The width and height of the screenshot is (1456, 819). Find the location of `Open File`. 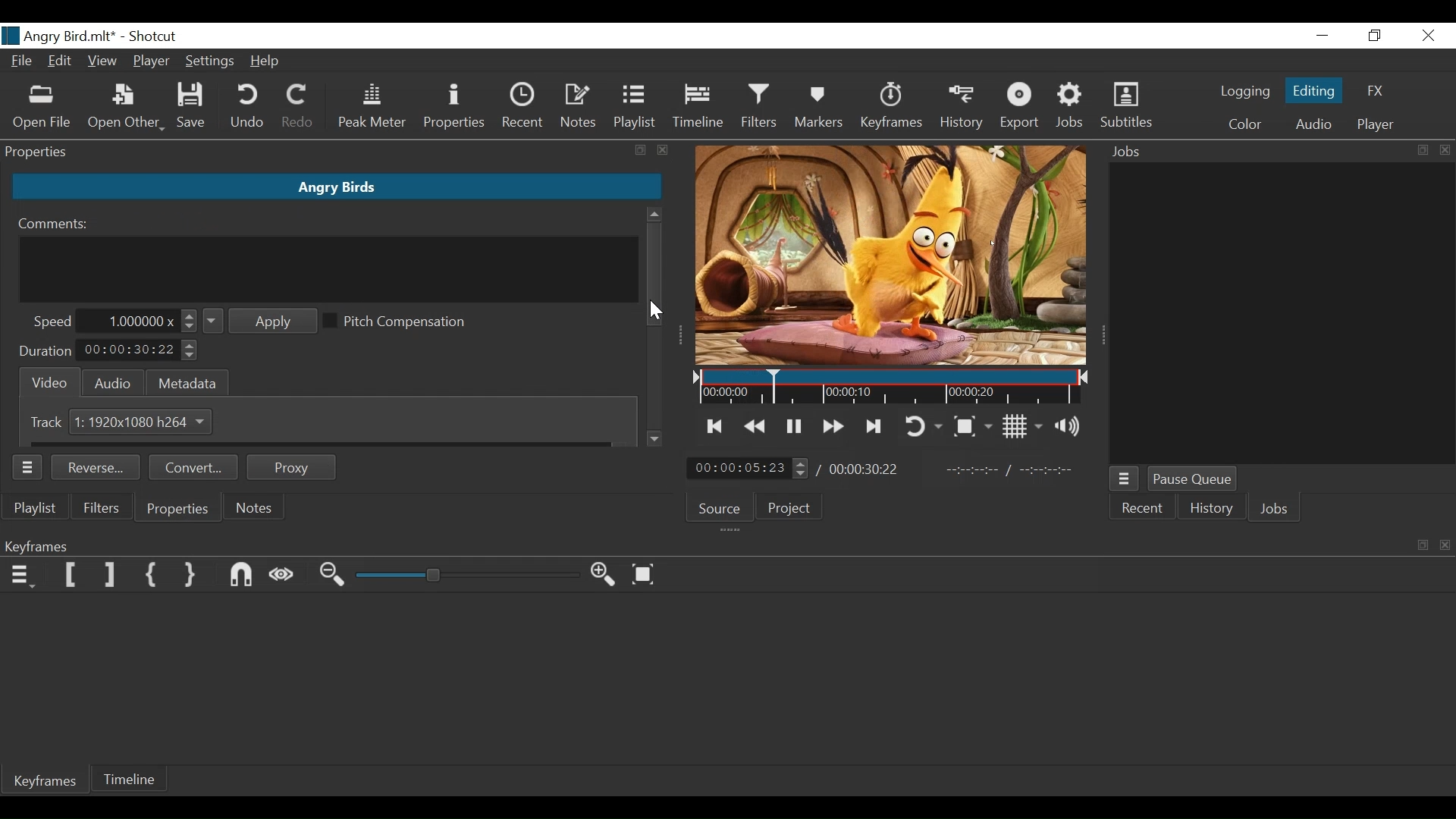

Open File is located at coordinates (40, 108).